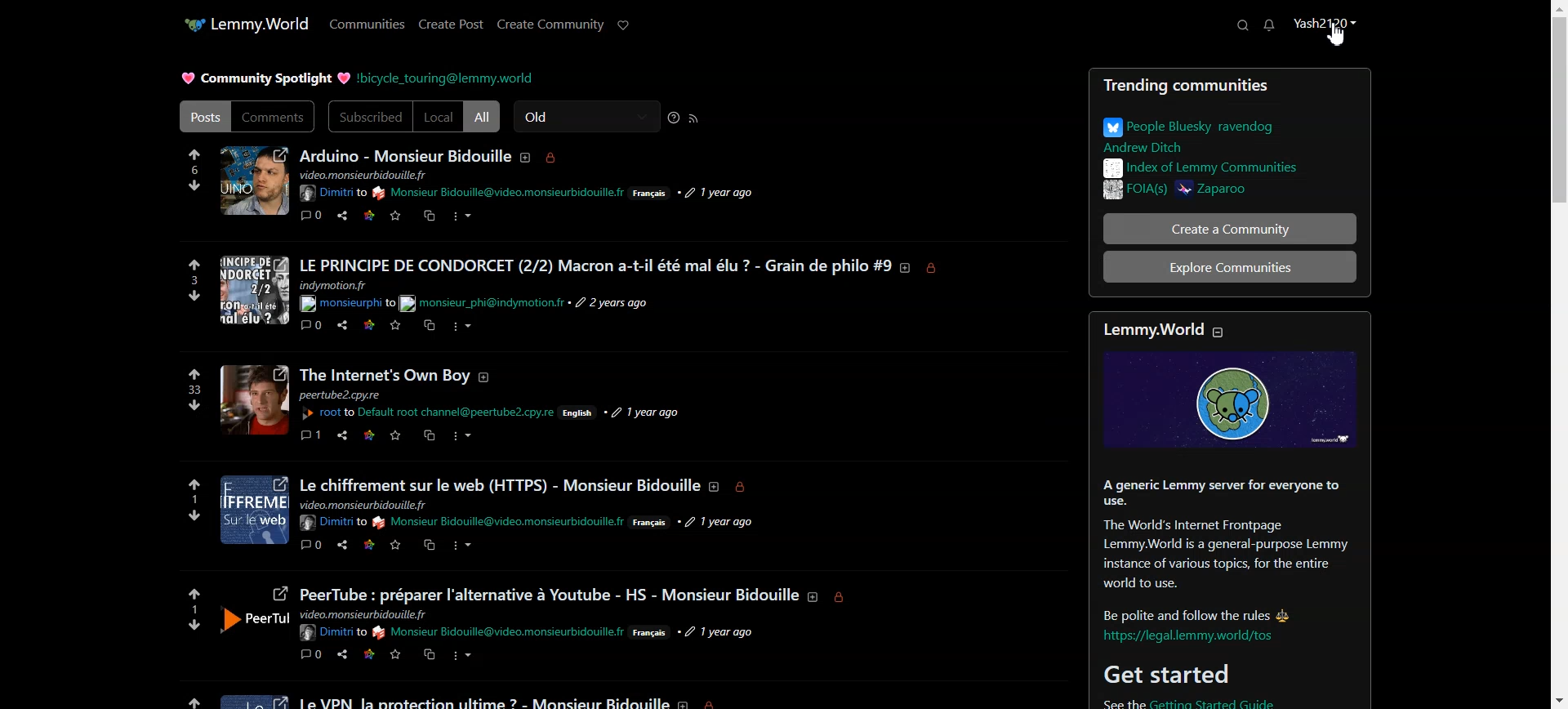 The height and width of the screenshot is (709, 1568). Describe the element at coordinates (499, 480) in the screenshot. I see `text` at that location.